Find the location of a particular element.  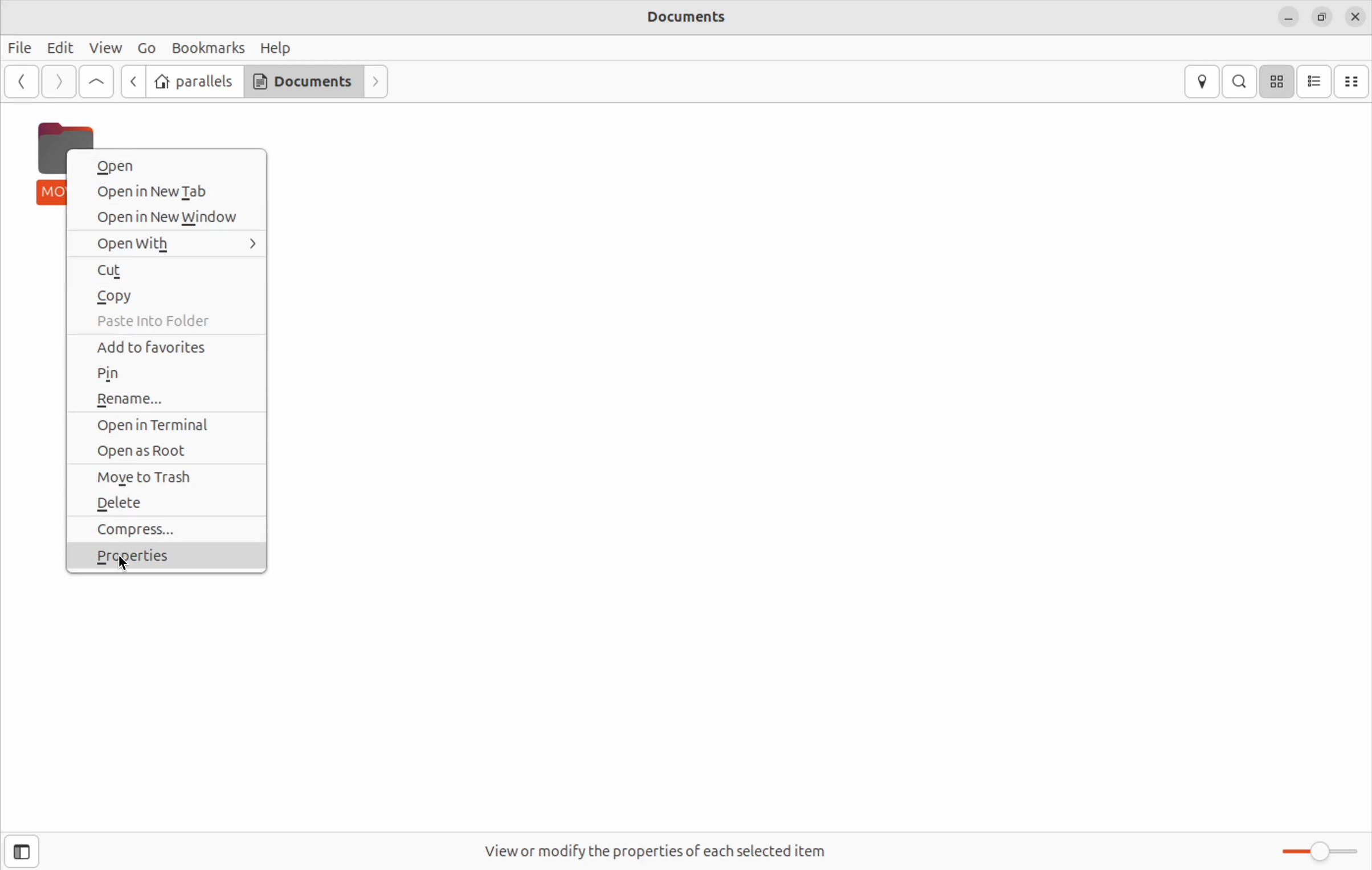

Zoom is located at coordinates (1314, 850).